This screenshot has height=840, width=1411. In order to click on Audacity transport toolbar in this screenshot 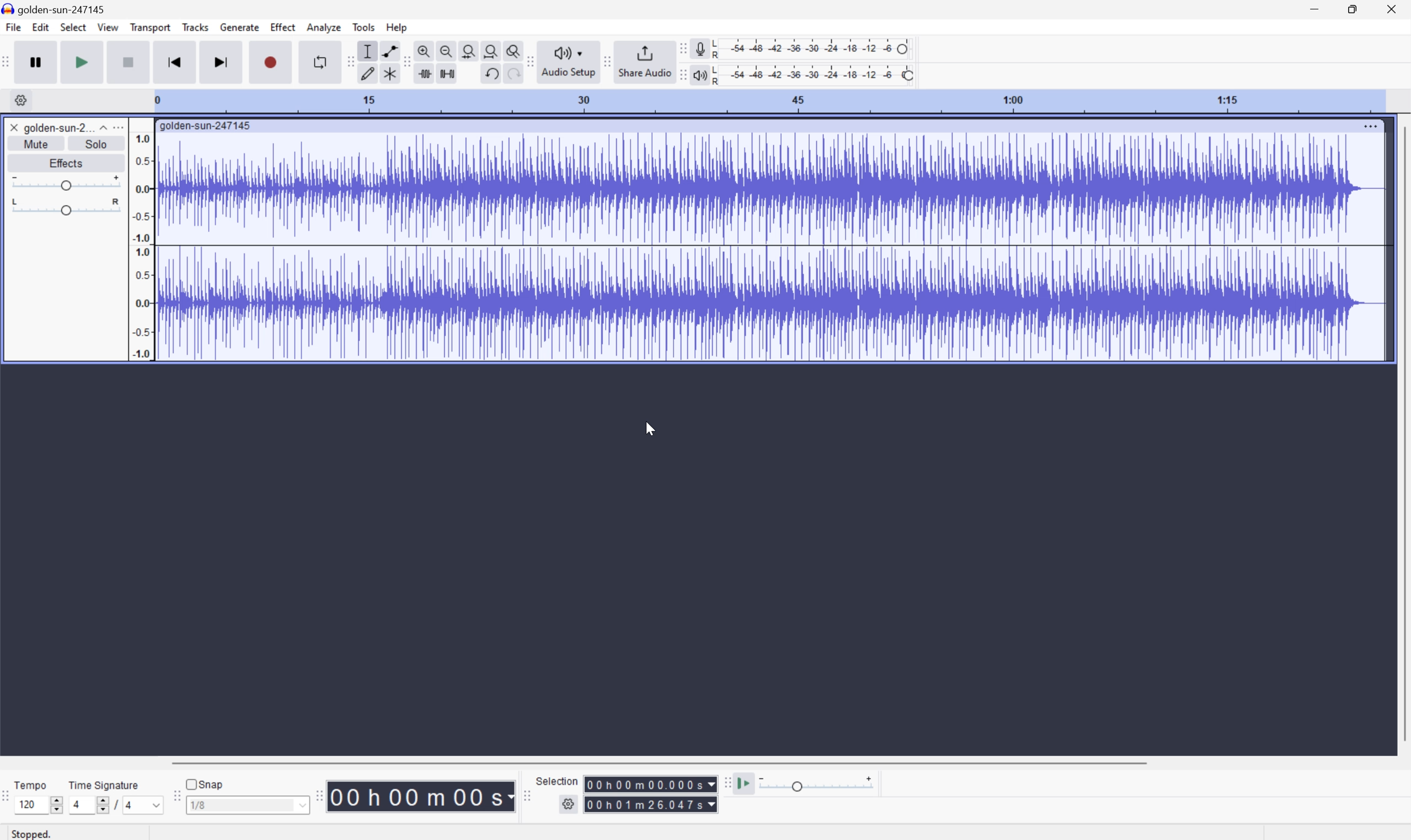, I will do `click(9, 60)`.